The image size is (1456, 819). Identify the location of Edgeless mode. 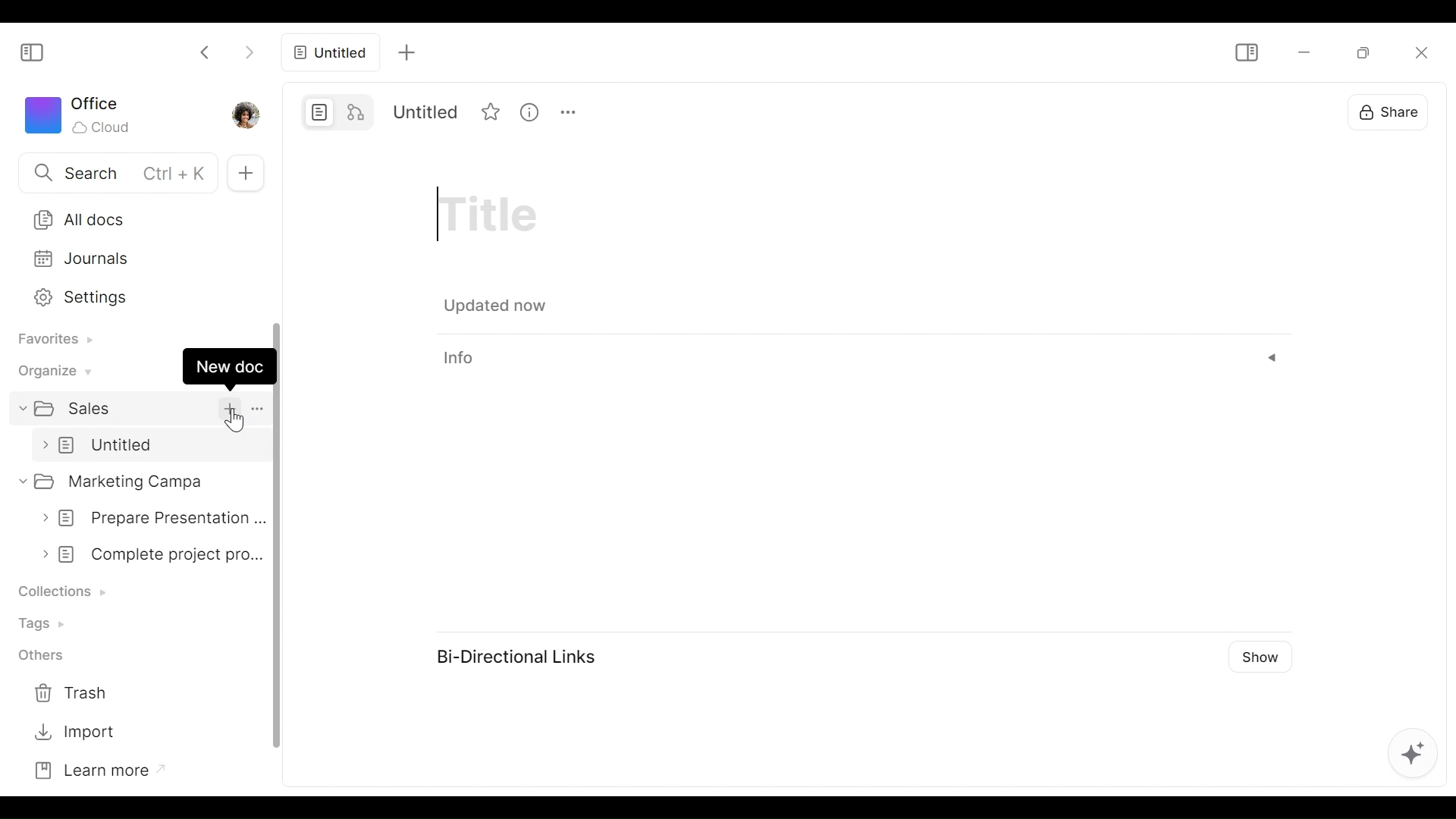
(357, 112).